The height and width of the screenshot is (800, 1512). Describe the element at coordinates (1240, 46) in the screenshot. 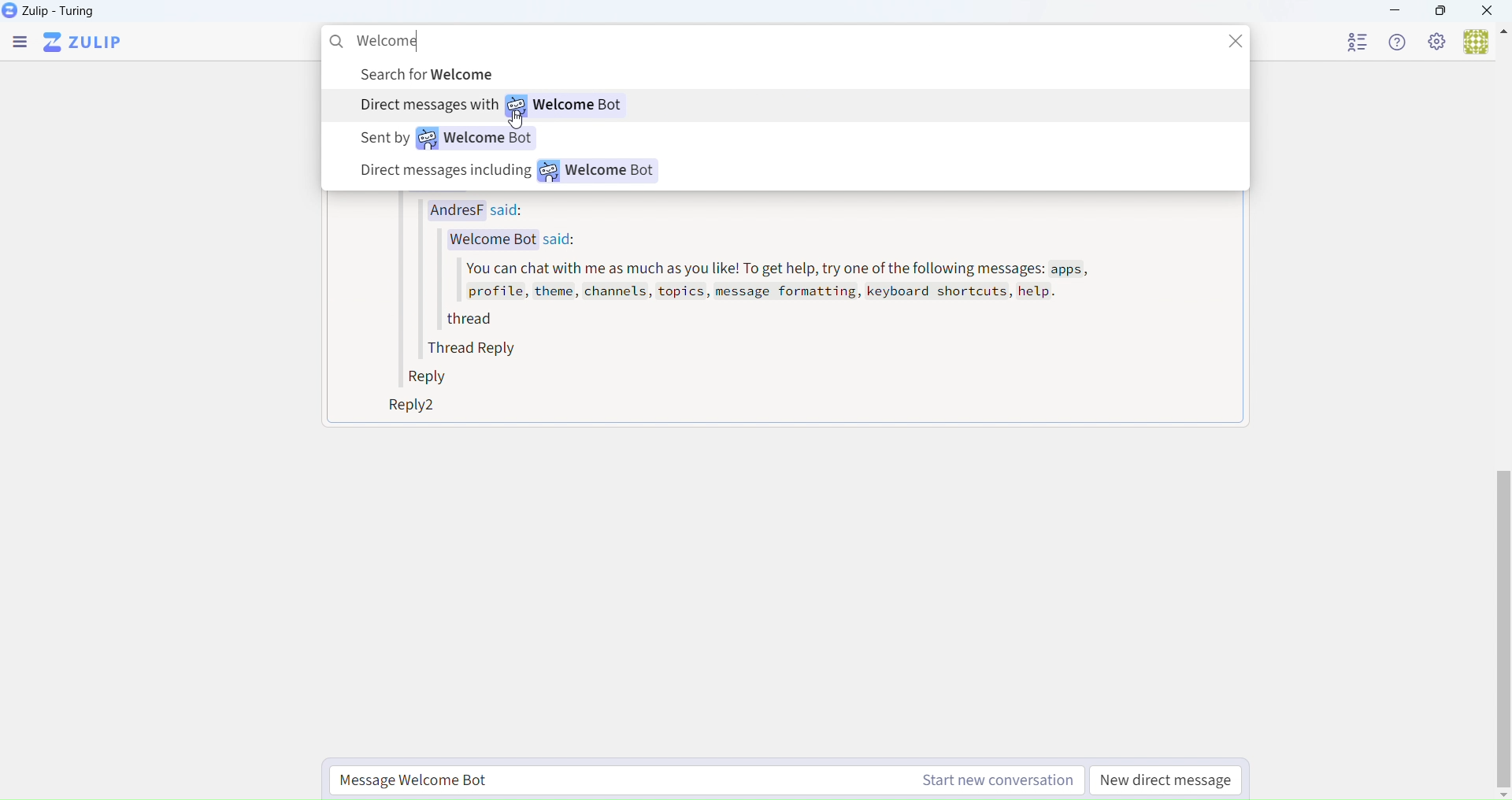

I see `close` at that location.